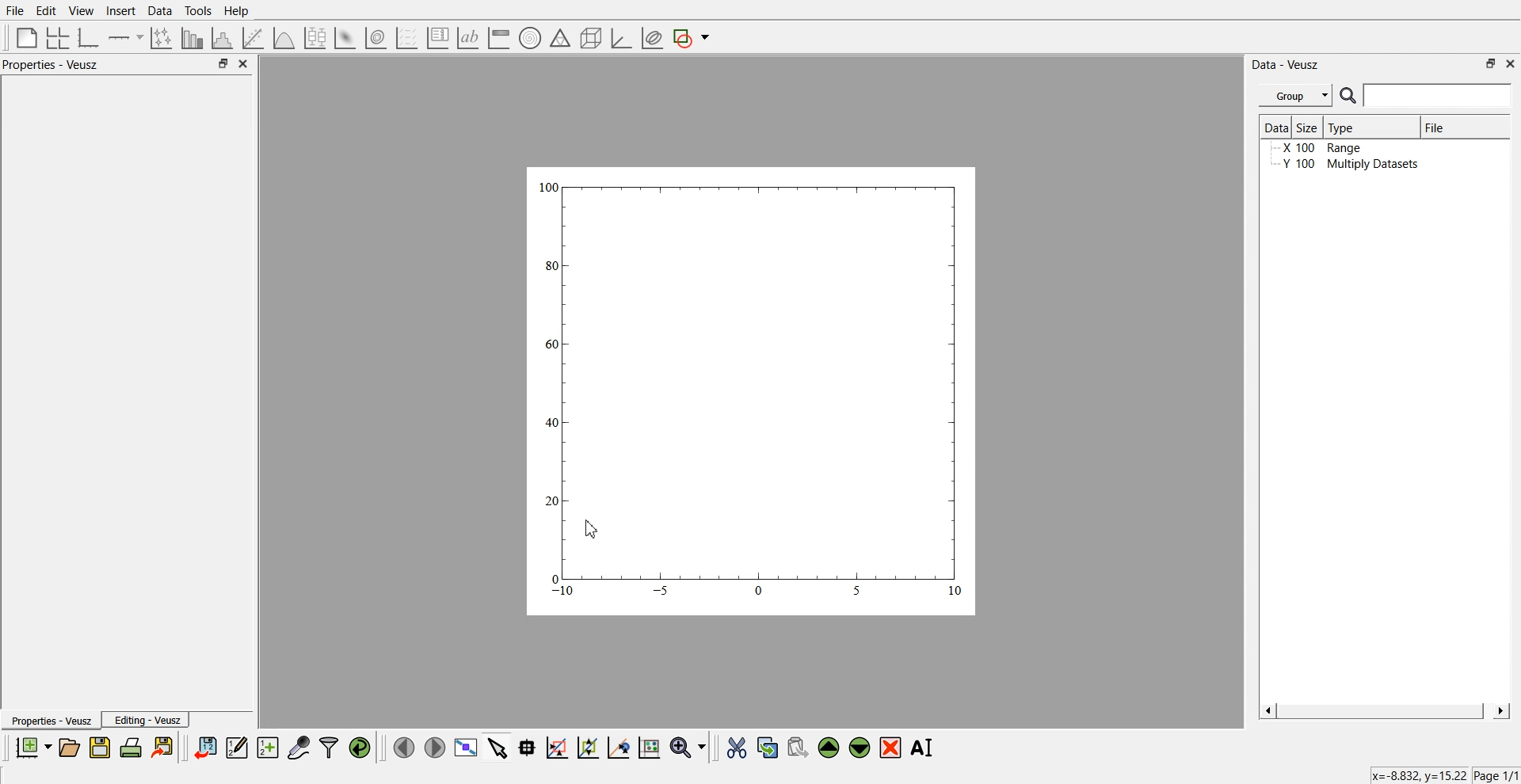 This screenshot has height=784, width=1521. What do you see at coordinates (55, 65) in the screenshot?
I see `Properties - Veusz` at bounding box center [55, 65].